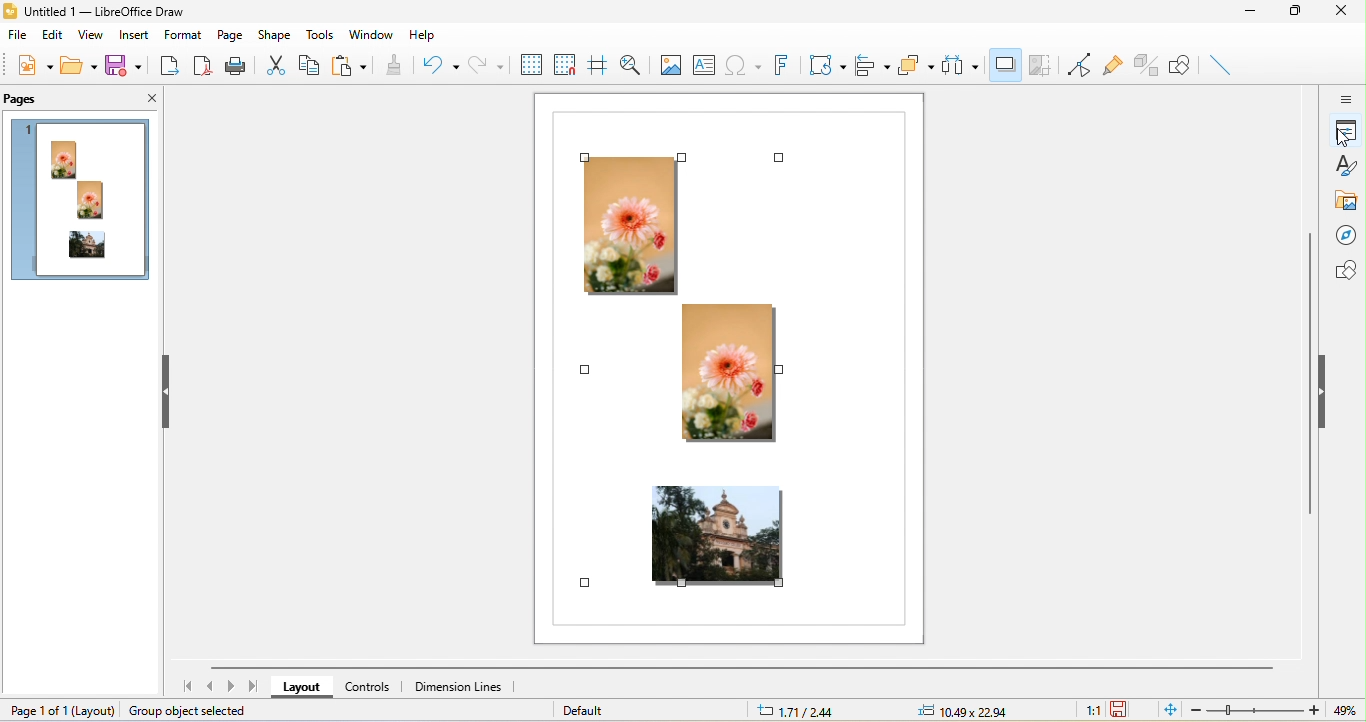  Describe the element at coordinates (351, 66) in the screenshot. I see `paste` at that location.